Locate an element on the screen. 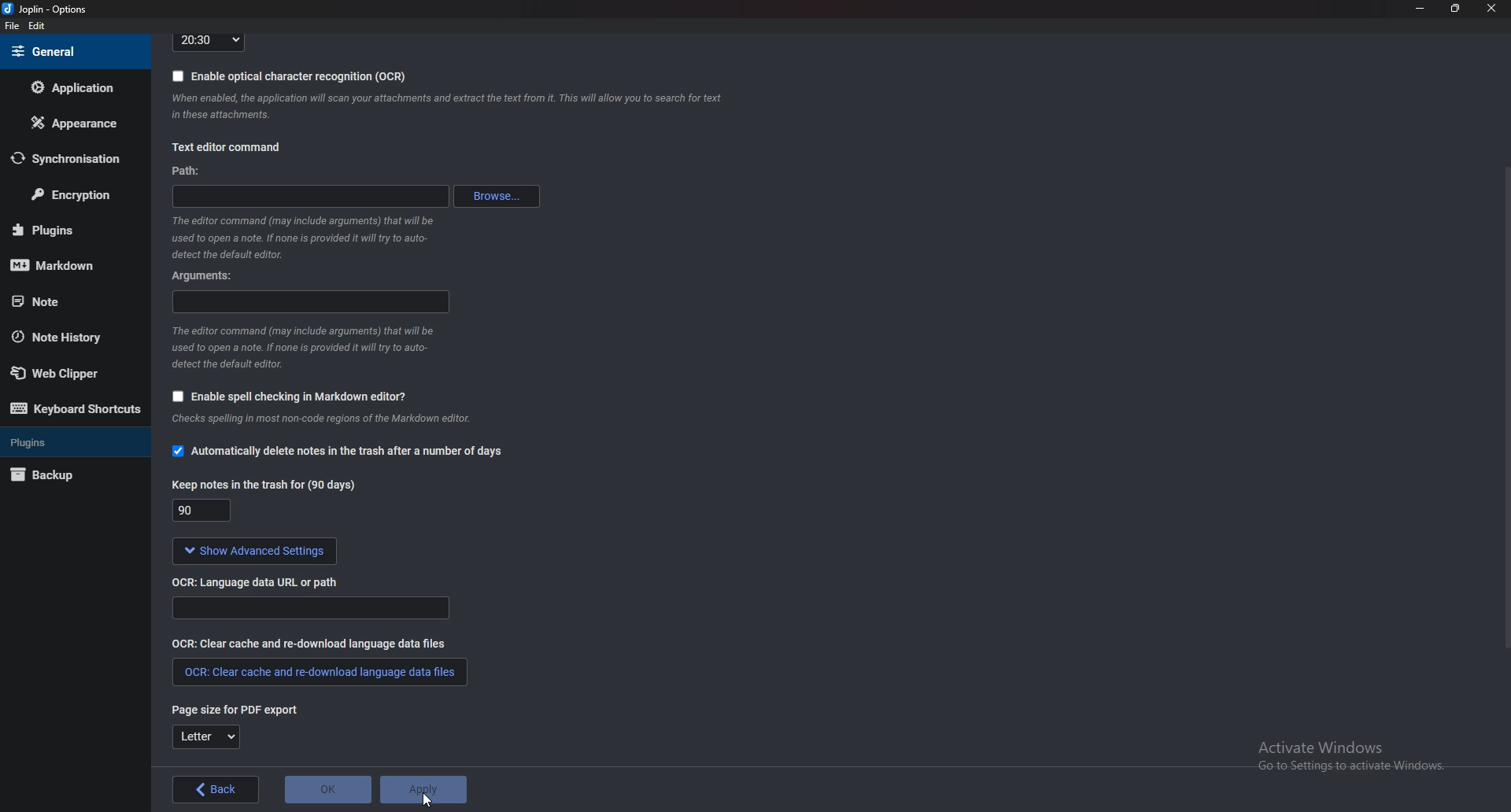 This screenshot has height=812, width=1511. Back up is located at coordinates (66, 477).